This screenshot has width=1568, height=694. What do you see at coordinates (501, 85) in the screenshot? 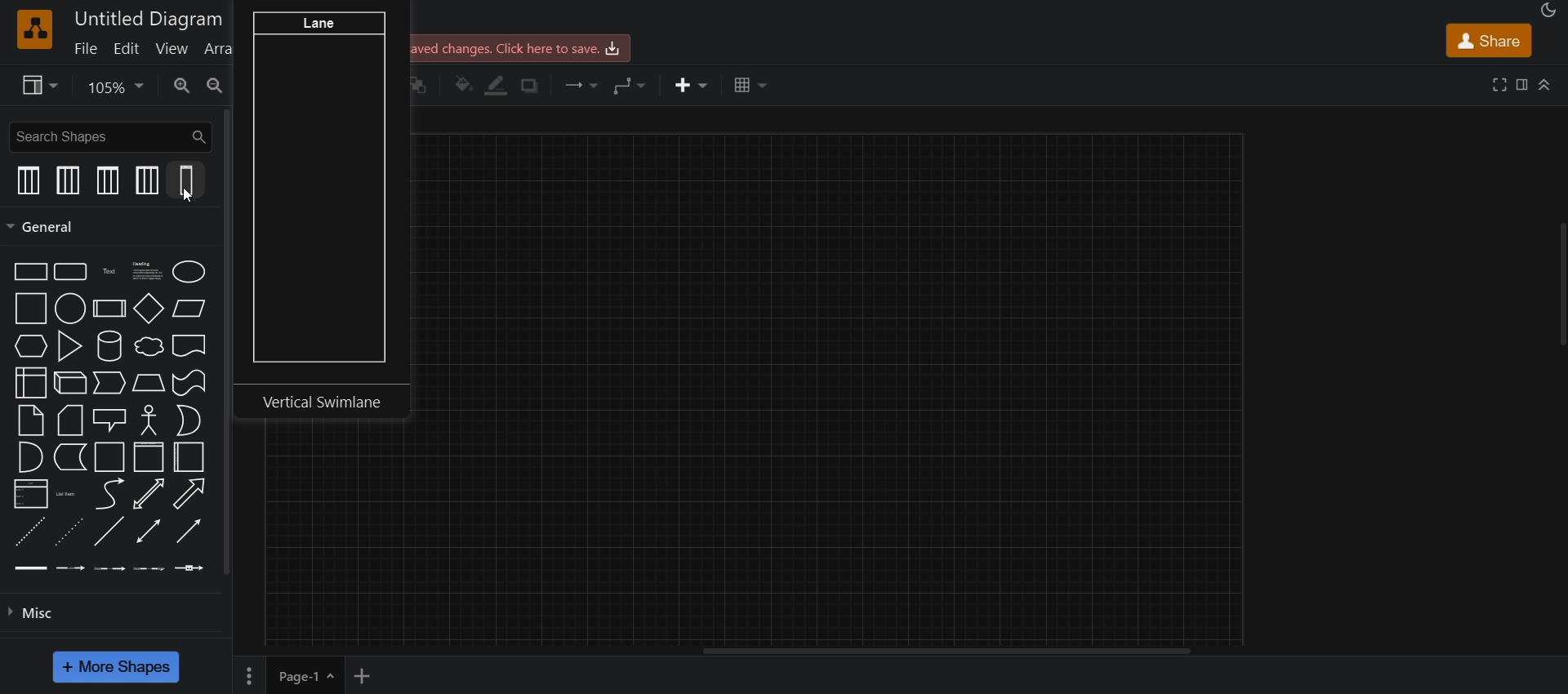
I see `line color` at bounding box center [501, 85].